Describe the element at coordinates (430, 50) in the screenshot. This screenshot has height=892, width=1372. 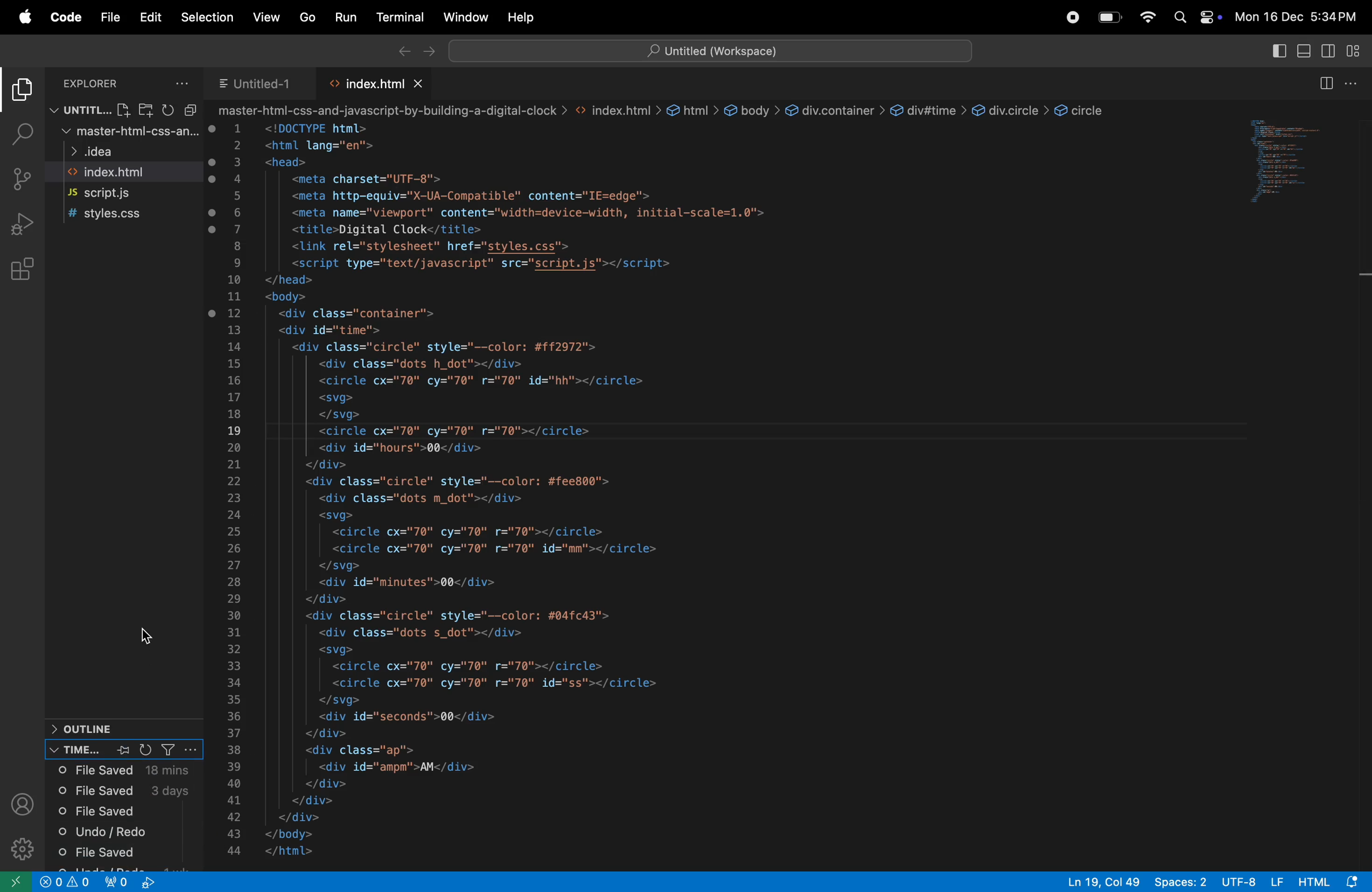
I see `forward` at that location.